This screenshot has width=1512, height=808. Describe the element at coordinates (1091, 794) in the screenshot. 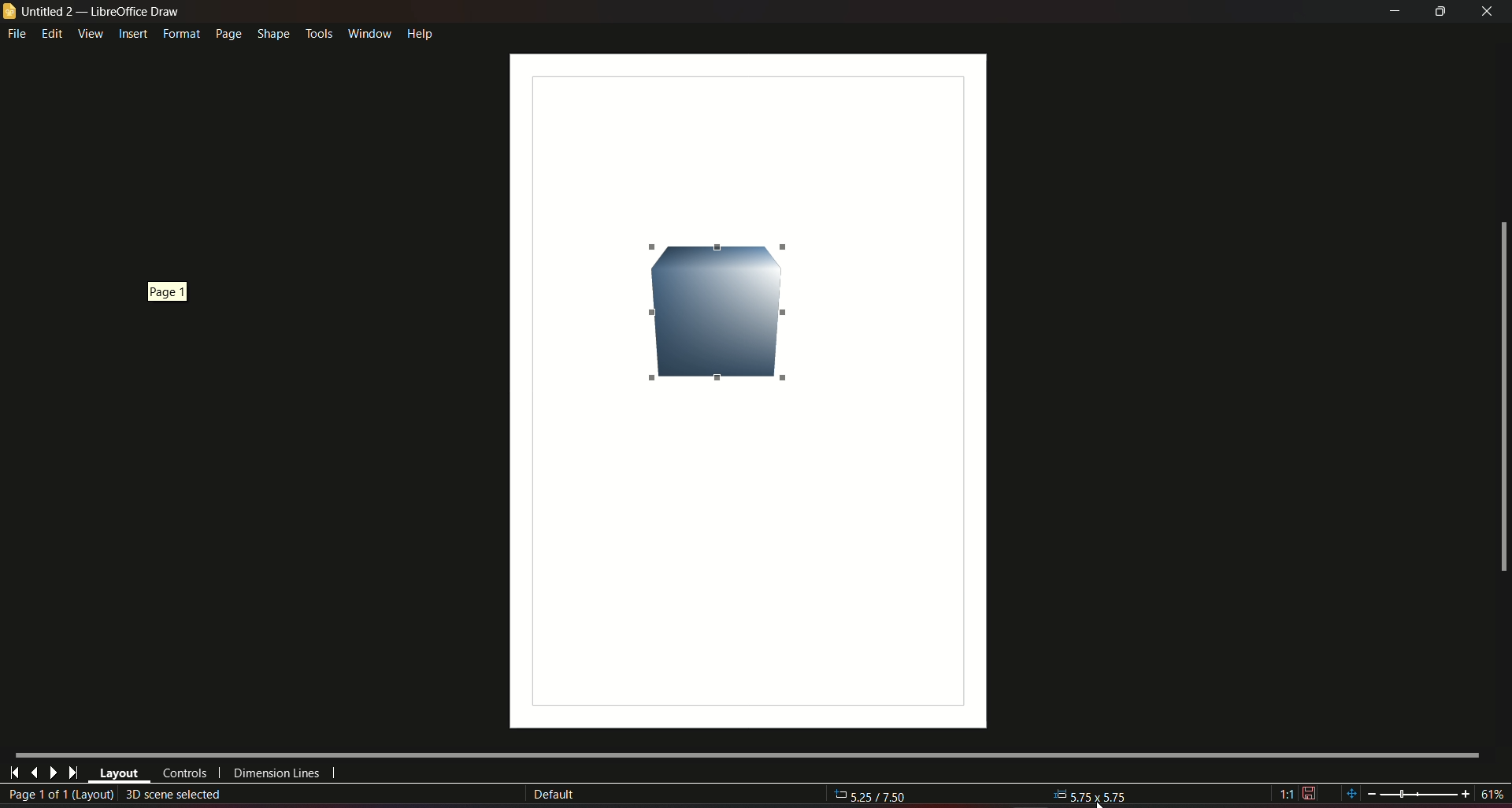

I see `5.75x5.75` at that location.